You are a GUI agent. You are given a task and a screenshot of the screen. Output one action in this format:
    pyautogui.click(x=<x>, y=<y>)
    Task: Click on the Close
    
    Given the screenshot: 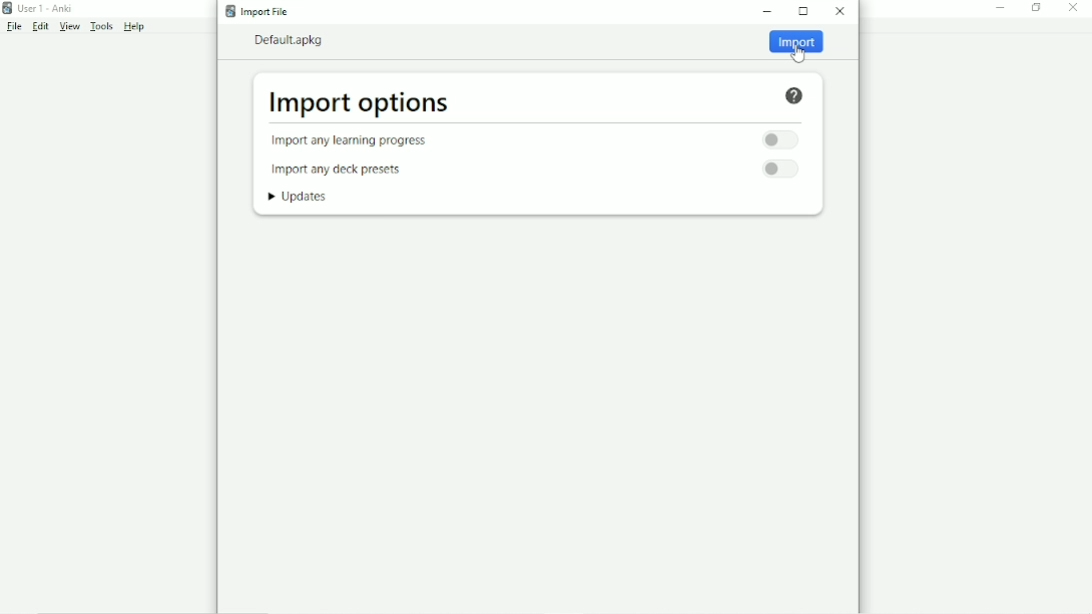 What is the action you would take?
    pyautogui.click(x=840, y=13)
    